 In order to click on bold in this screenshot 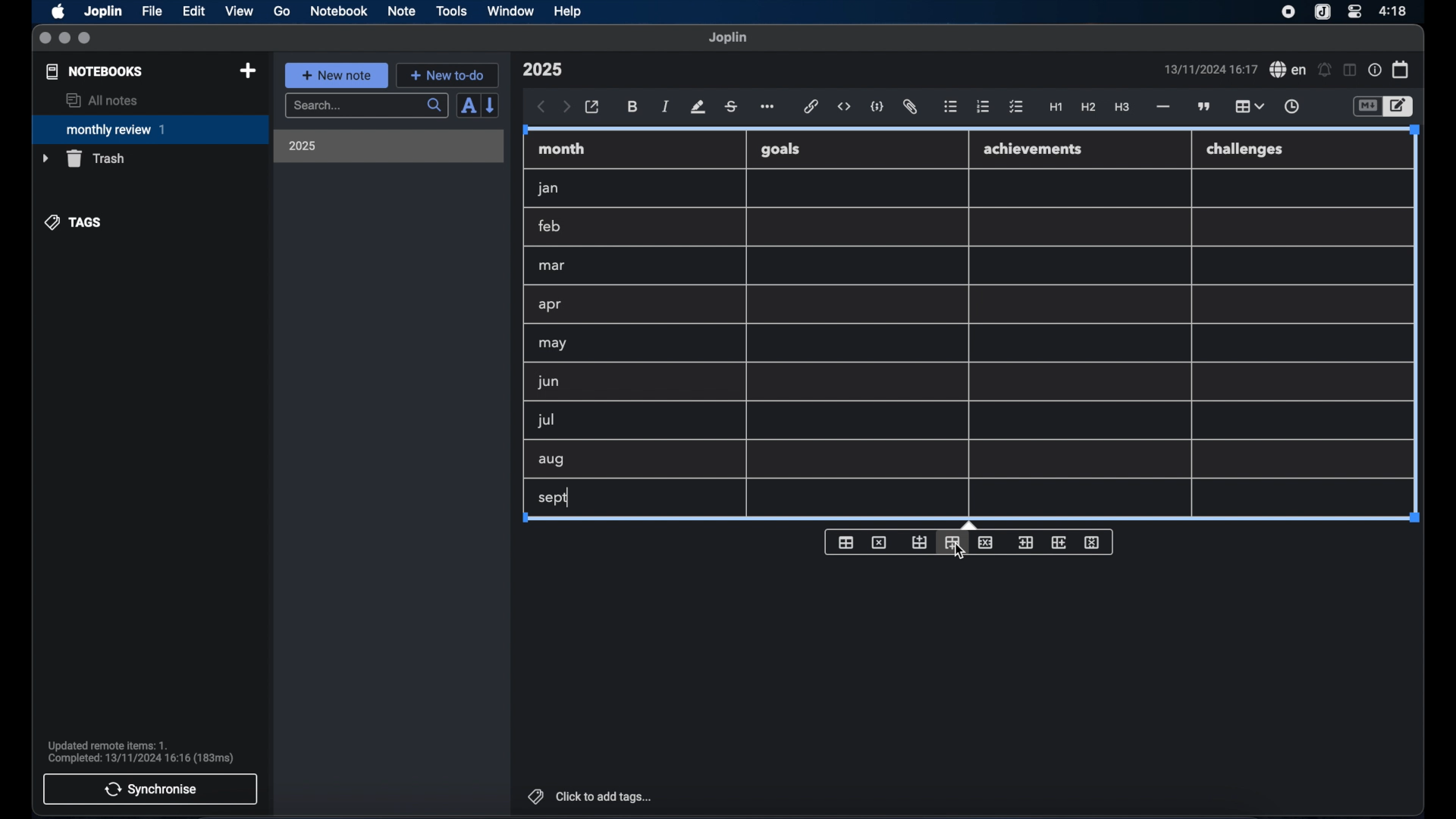, I will do `click(634, 107)`.